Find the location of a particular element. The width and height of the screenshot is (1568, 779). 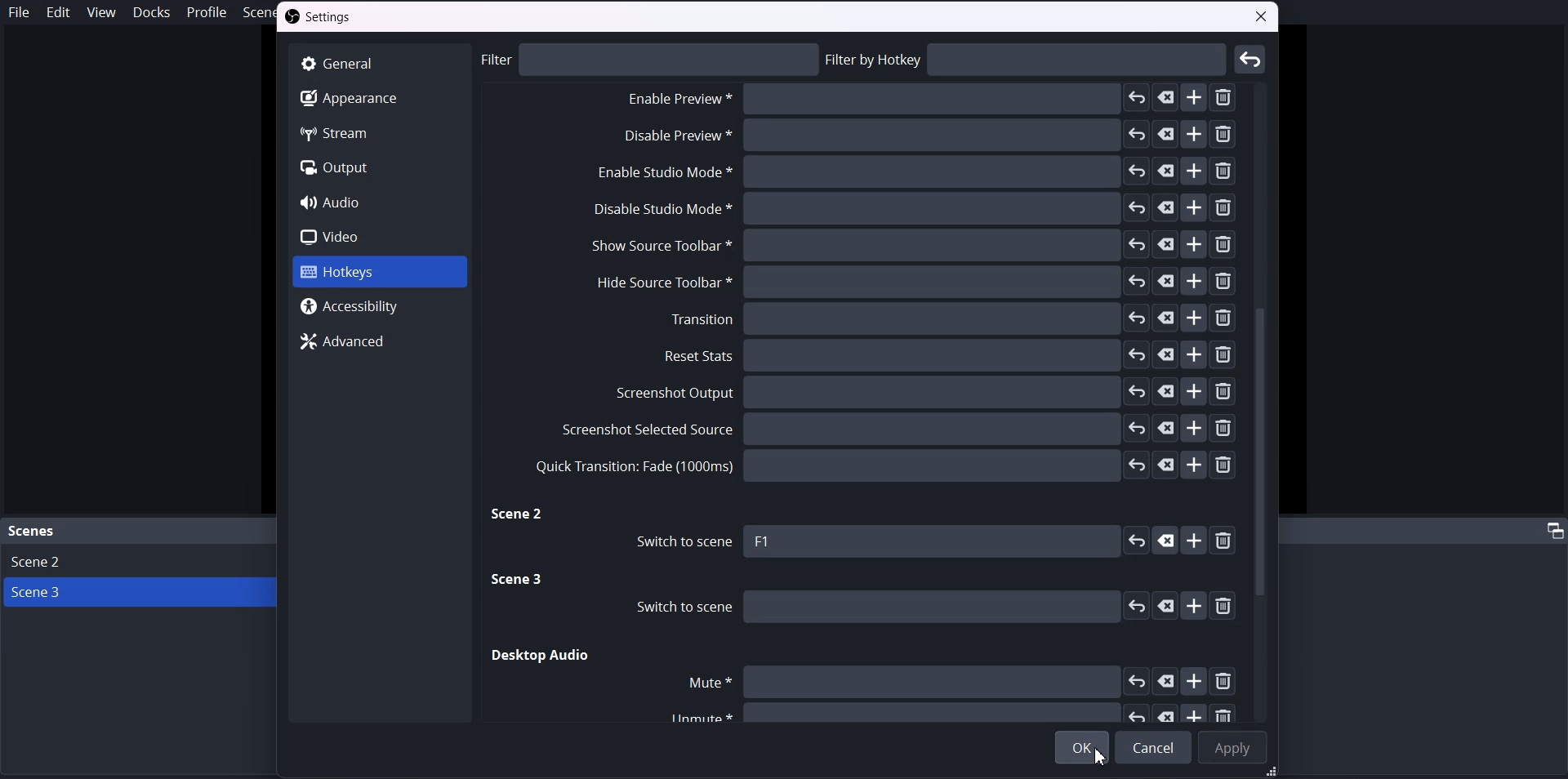

Screenshot output is located at coordinates (927, 393).